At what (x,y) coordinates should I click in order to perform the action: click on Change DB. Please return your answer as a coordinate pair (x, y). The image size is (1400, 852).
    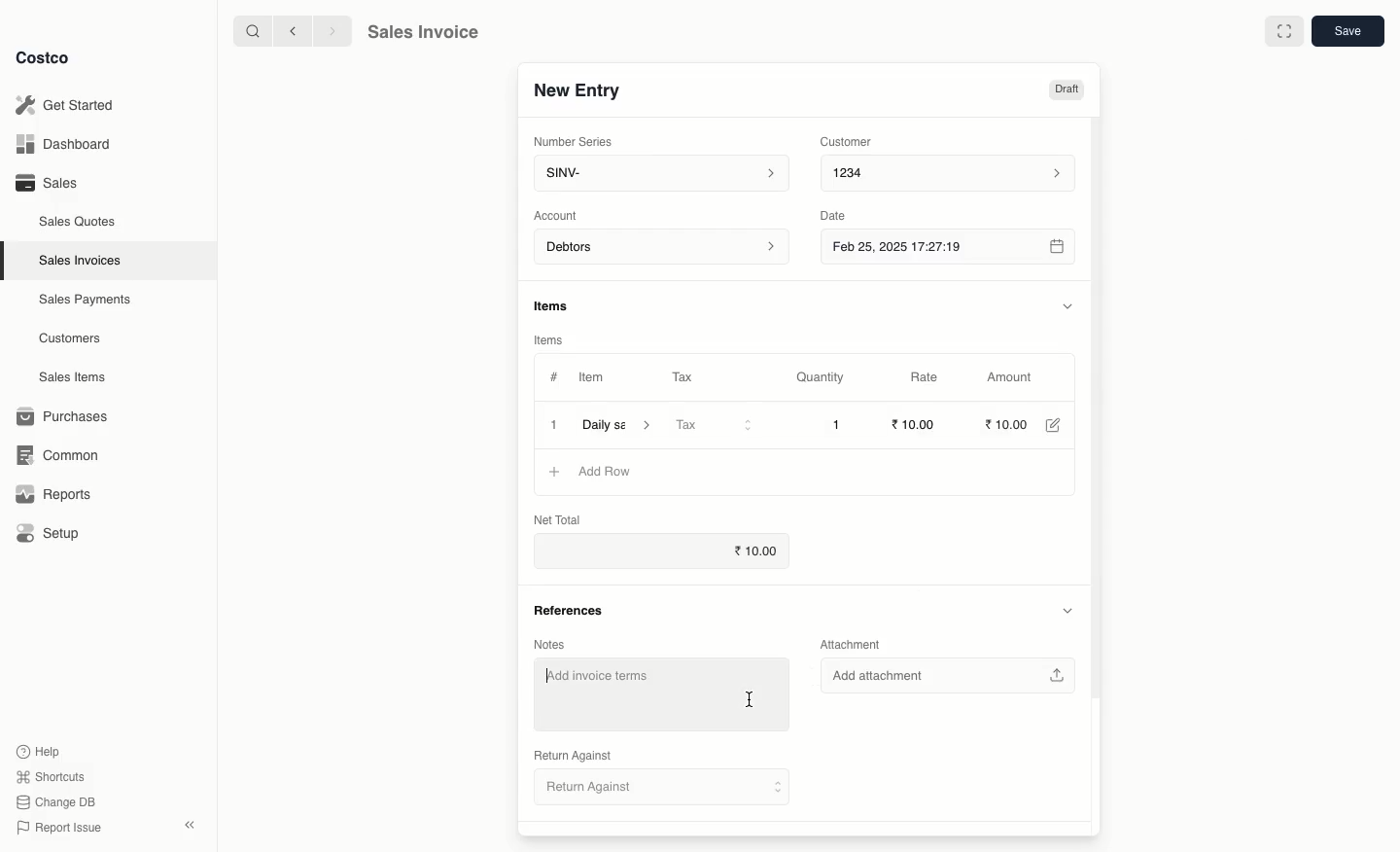
    Looking at the image, I should click on (57, 801).